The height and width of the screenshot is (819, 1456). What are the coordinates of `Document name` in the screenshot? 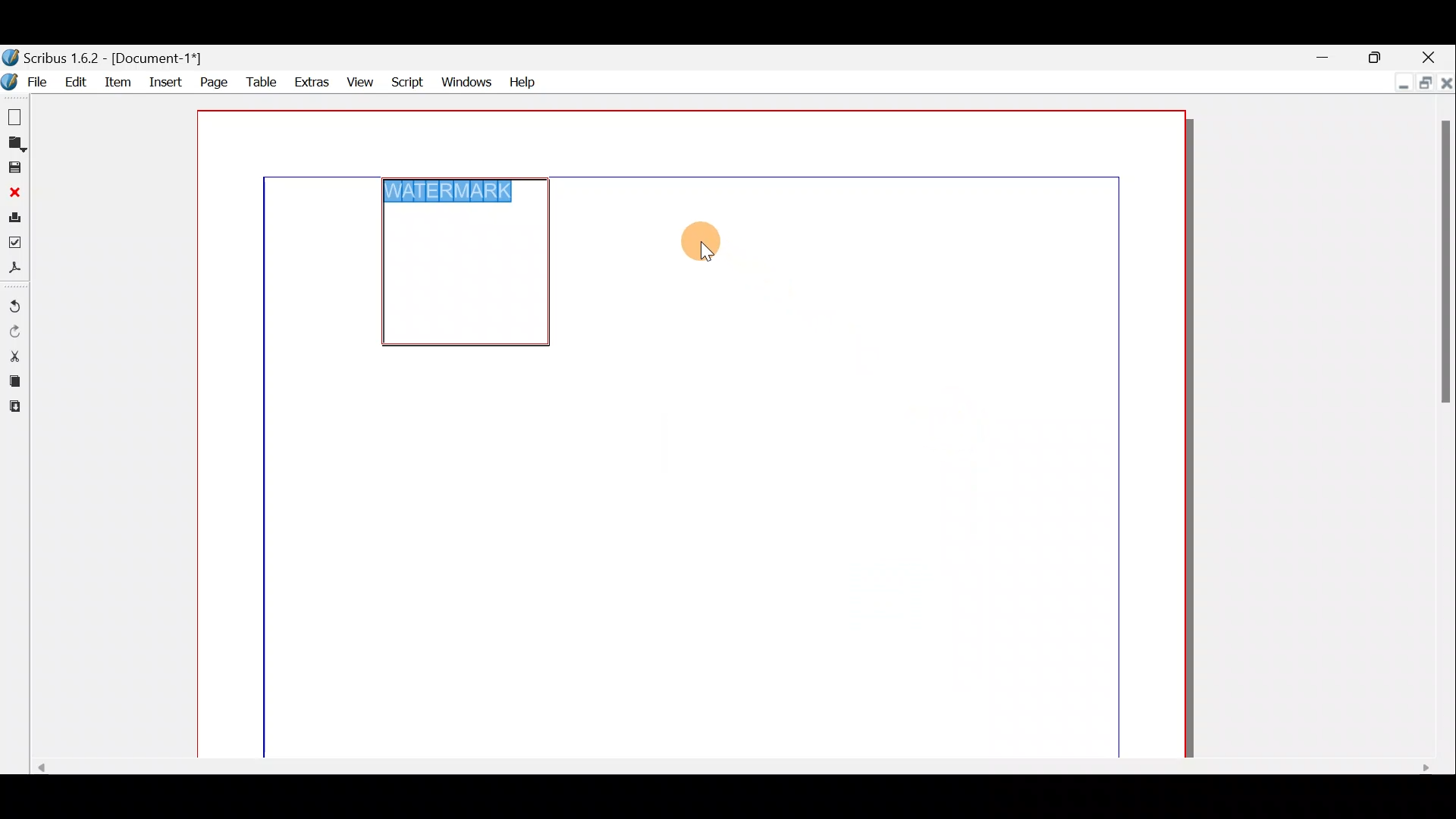 It's located at (105, 58).